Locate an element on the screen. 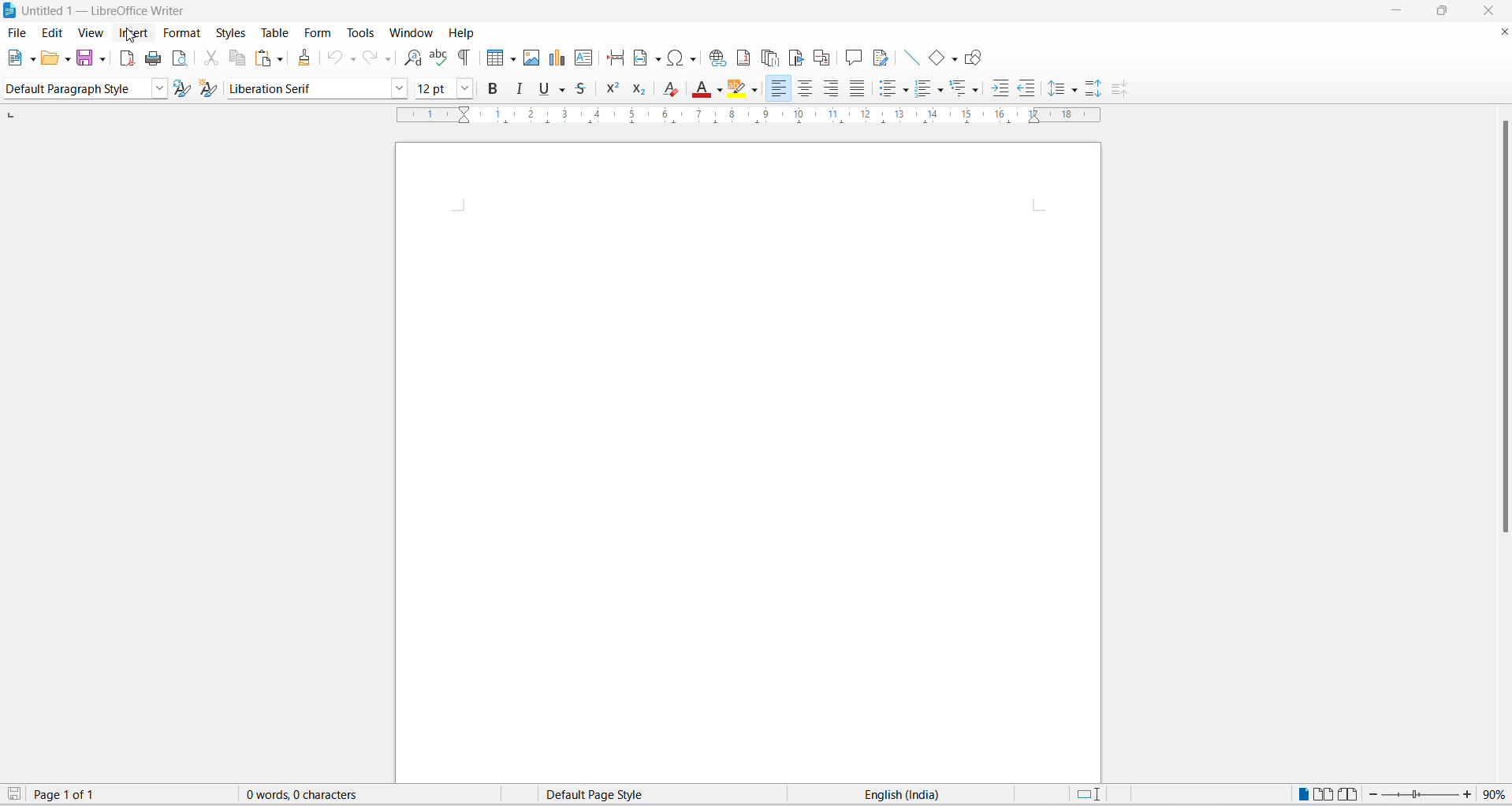 The height and width of the screenshot is (806, 1512). book view is located at coordinates (1346, 794).